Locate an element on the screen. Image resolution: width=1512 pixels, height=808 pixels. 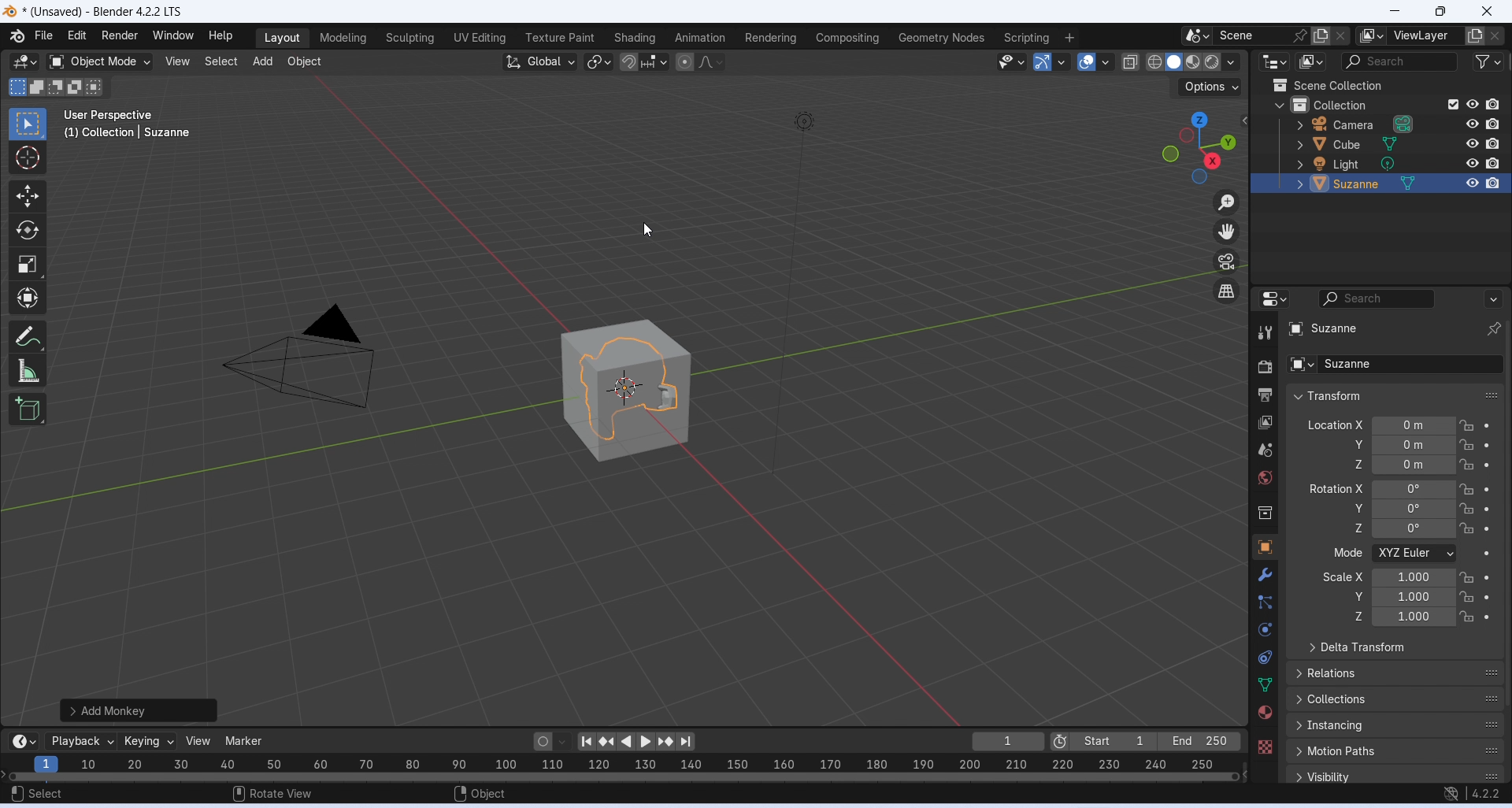
Rotate is located at coordinates (27, 231).